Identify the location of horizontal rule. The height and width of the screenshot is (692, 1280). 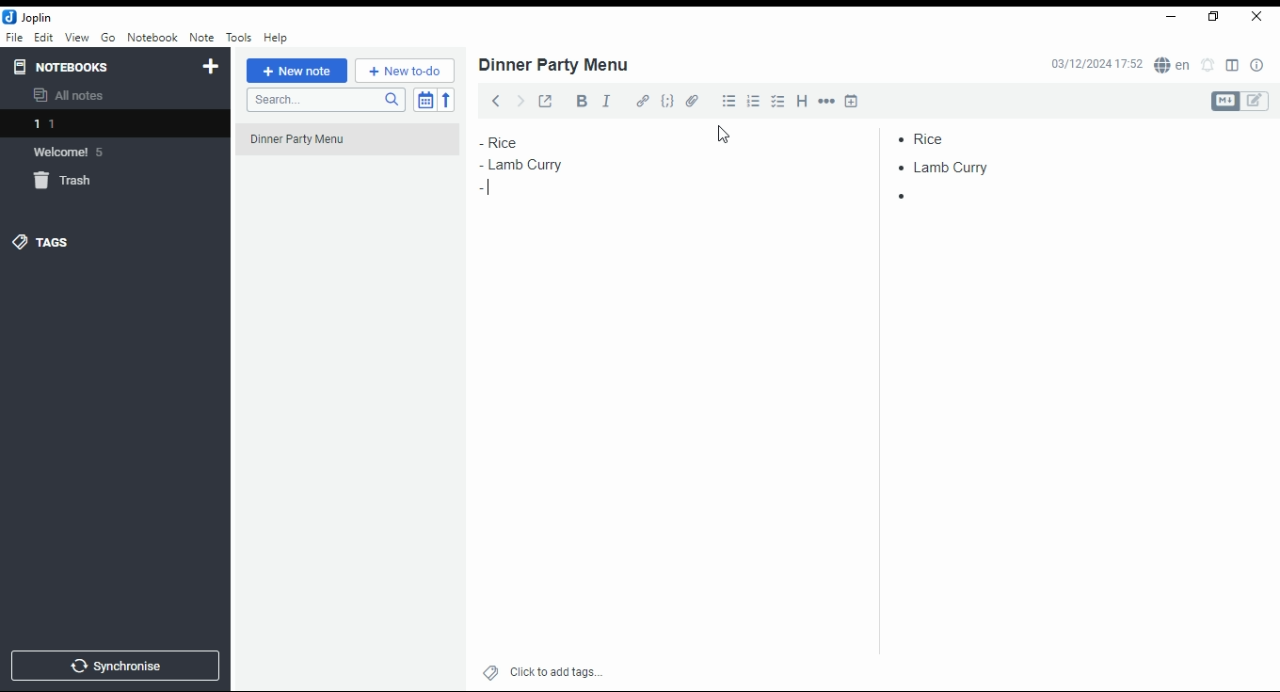
(825, 100).